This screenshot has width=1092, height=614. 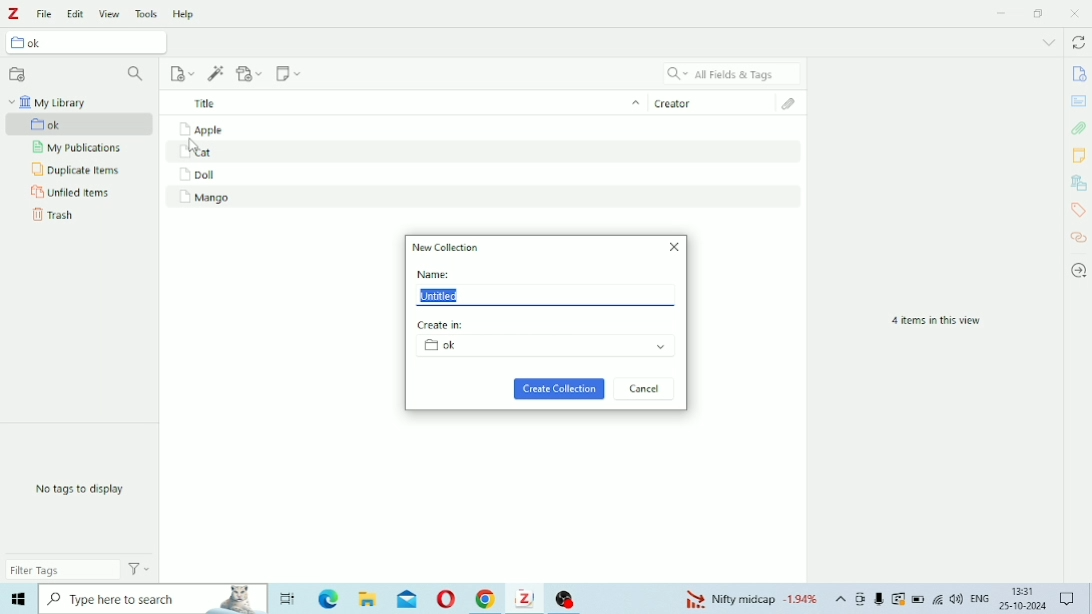 What do you see at coordinates (861, 599) in the screenshot?
I see `Meet Now` at bounding box center [861, 599].